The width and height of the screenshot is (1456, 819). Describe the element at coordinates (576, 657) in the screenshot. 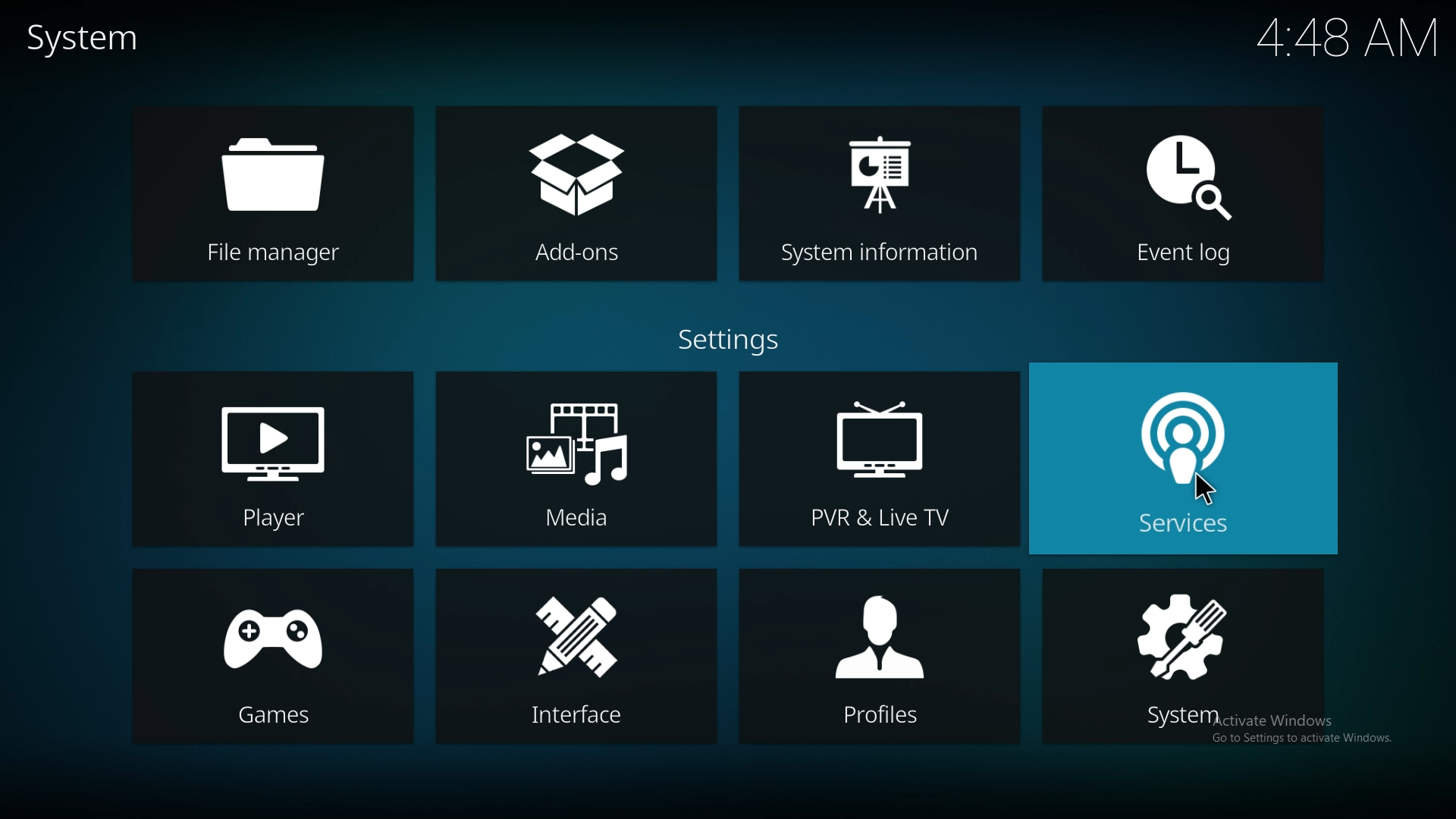

I see `interface` at that location.